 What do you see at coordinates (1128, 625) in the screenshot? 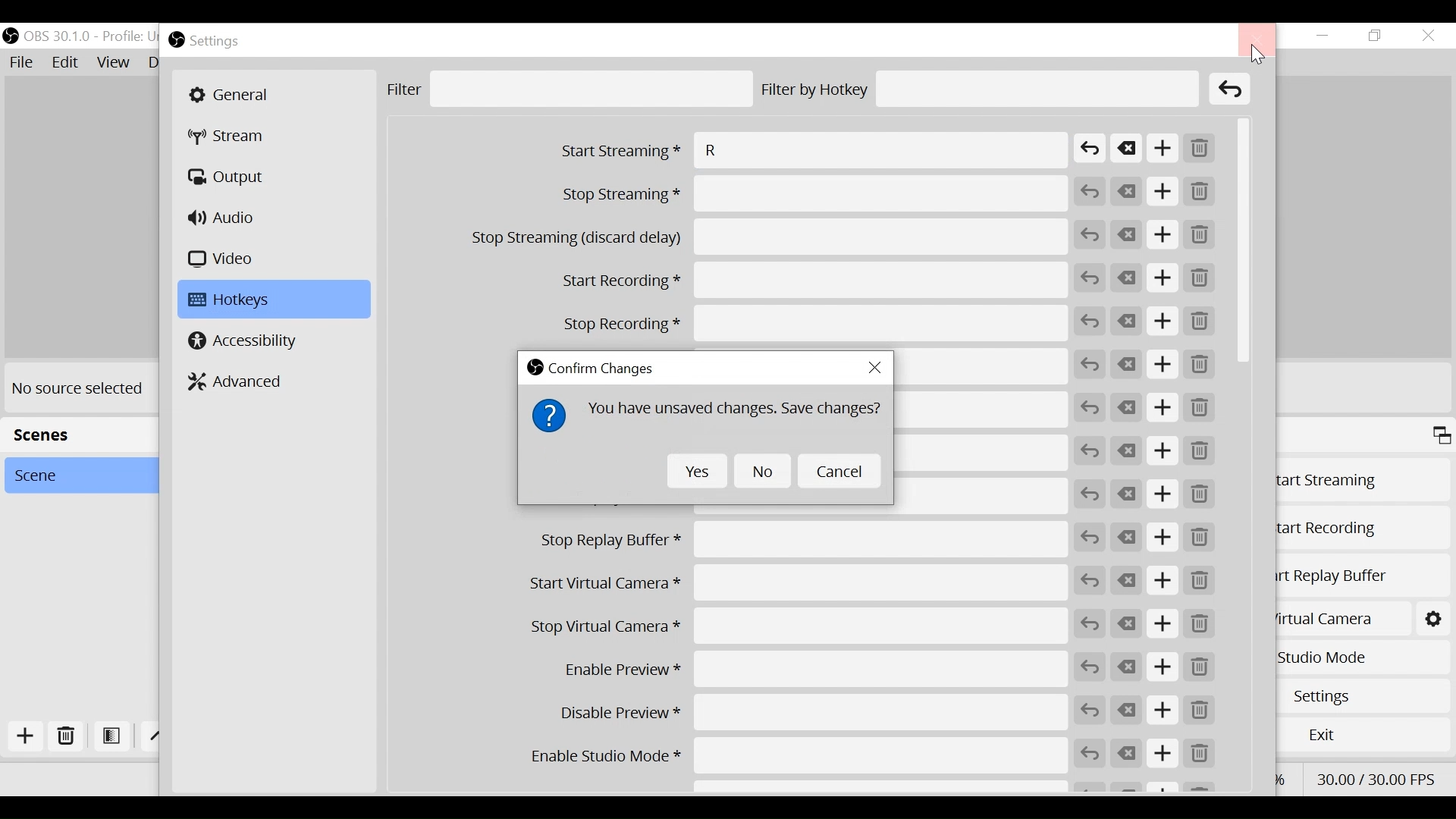
I see `Clear` at bounding box center [1128, 625].